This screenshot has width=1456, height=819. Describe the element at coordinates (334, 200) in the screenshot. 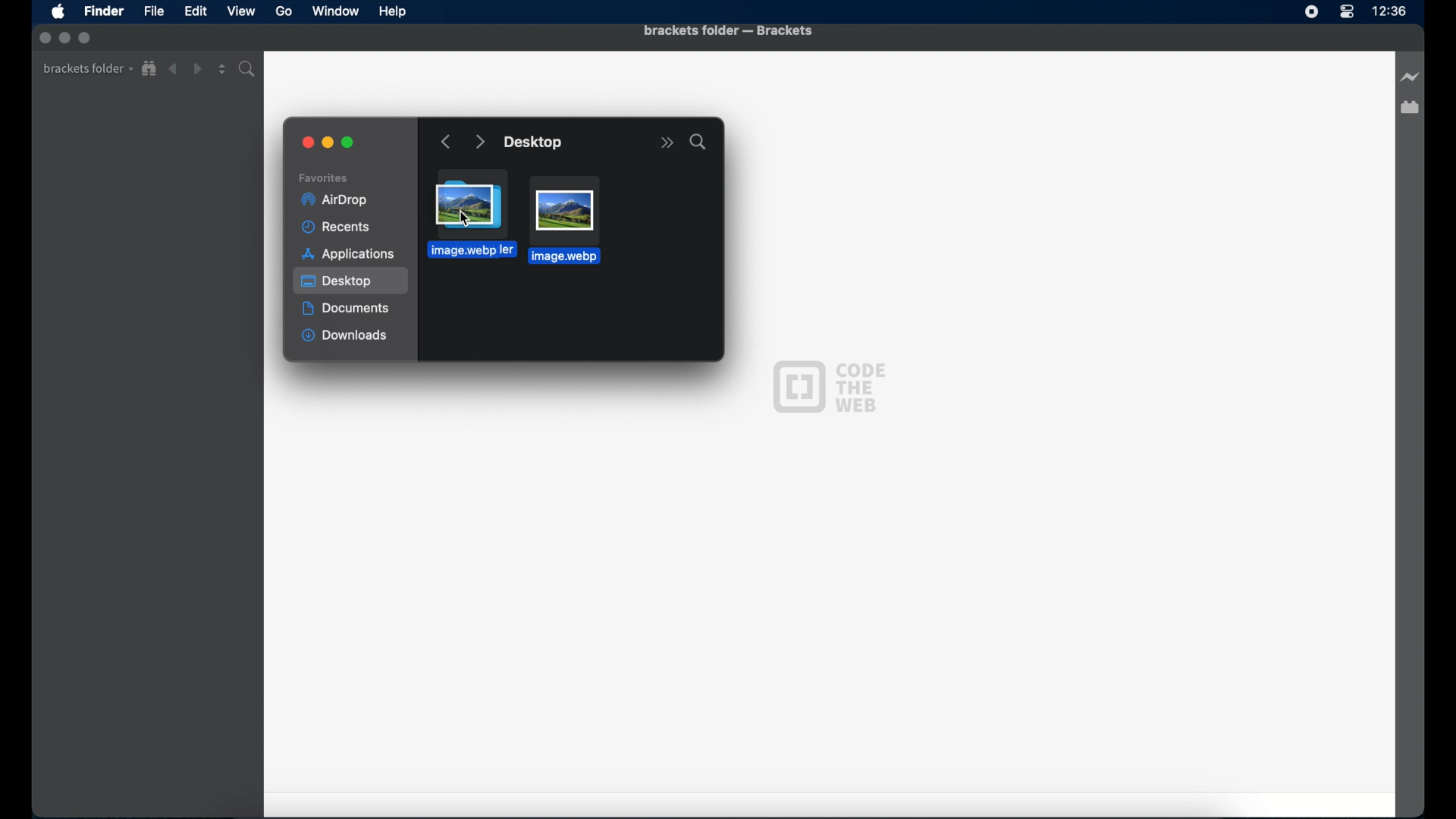

I see `airdrop` at that location.